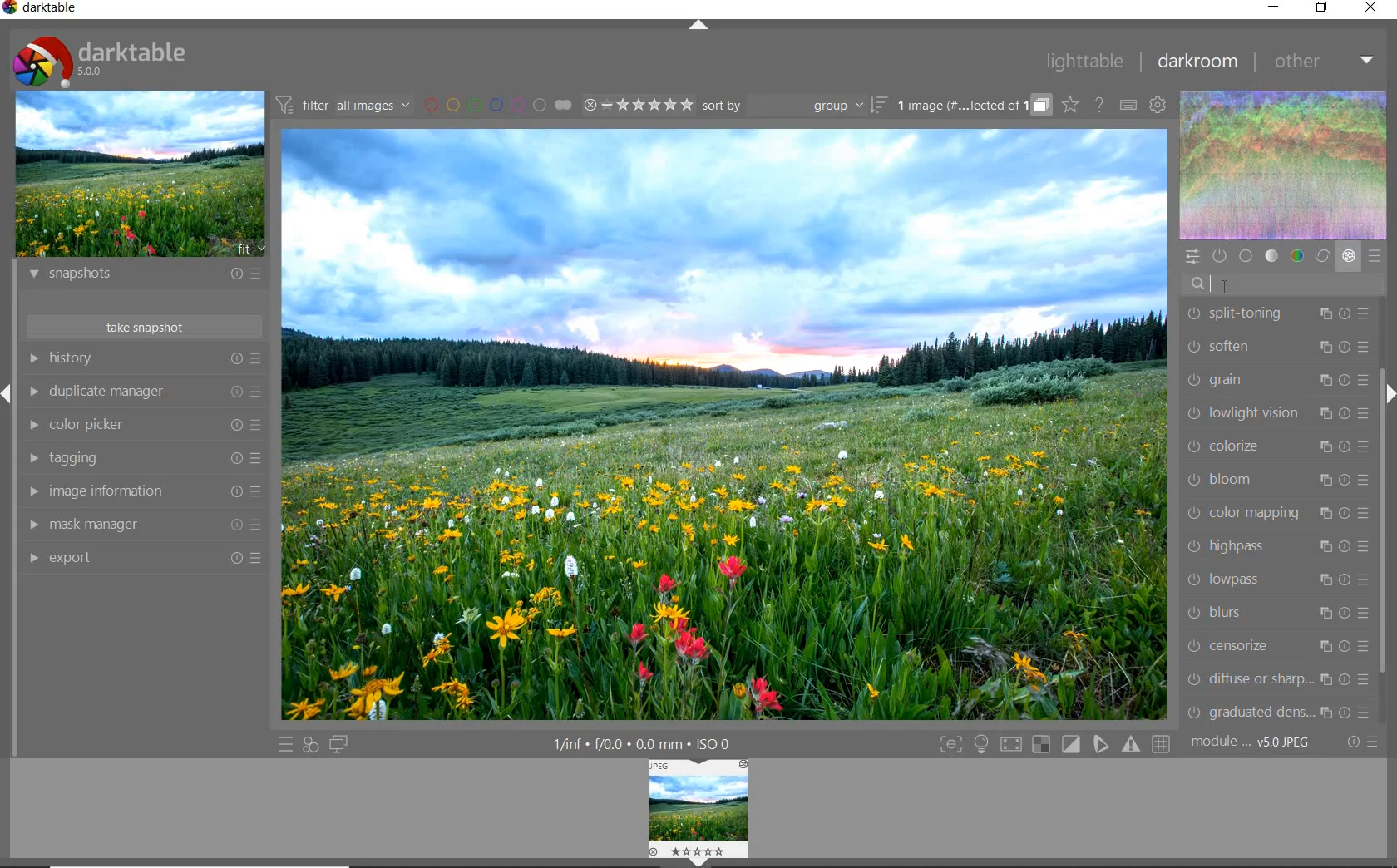  I want to click on darkroom, so click(1199, 62).